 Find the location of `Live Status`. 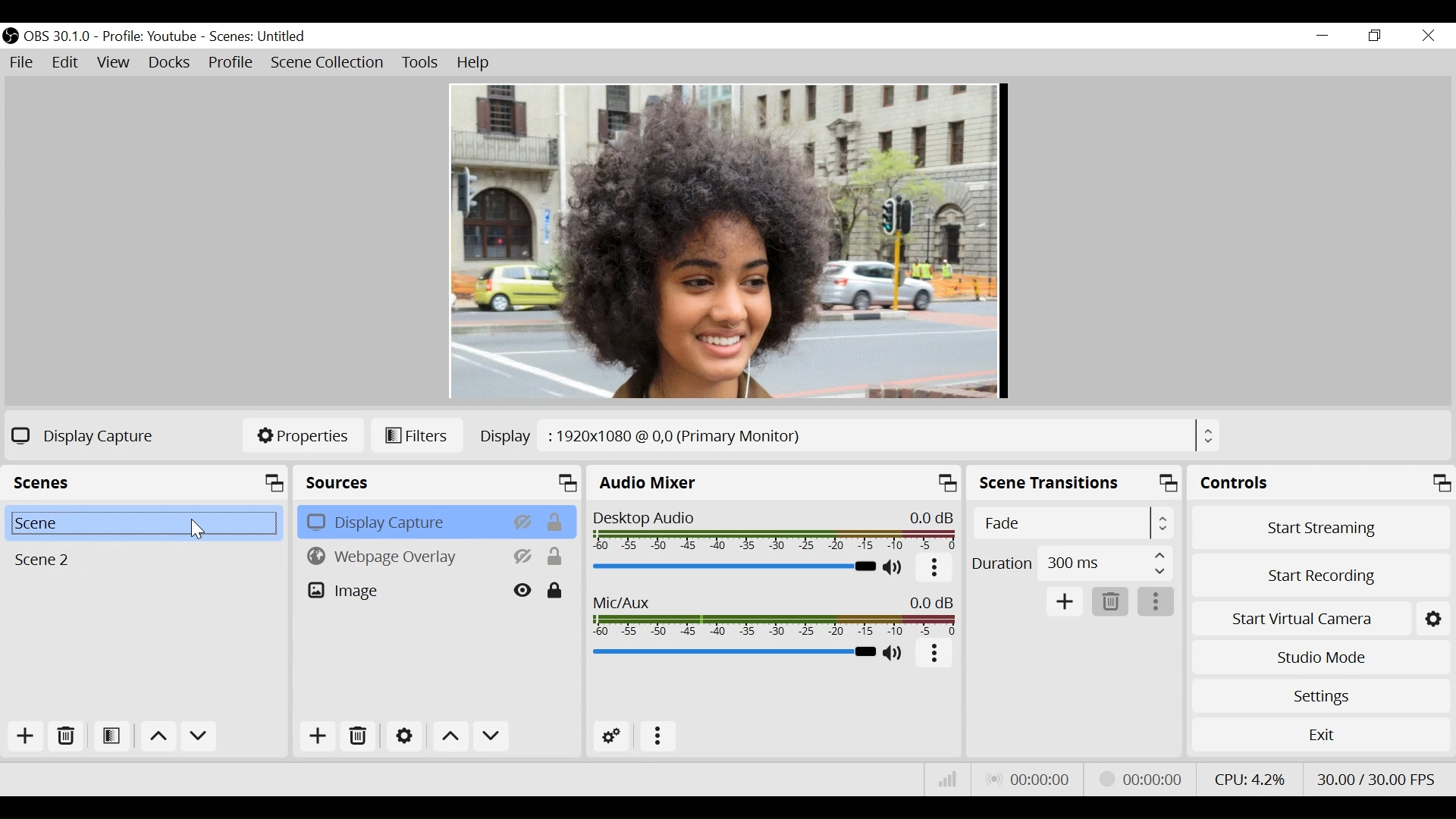

Live Status is located at coordinates (1031, 777).